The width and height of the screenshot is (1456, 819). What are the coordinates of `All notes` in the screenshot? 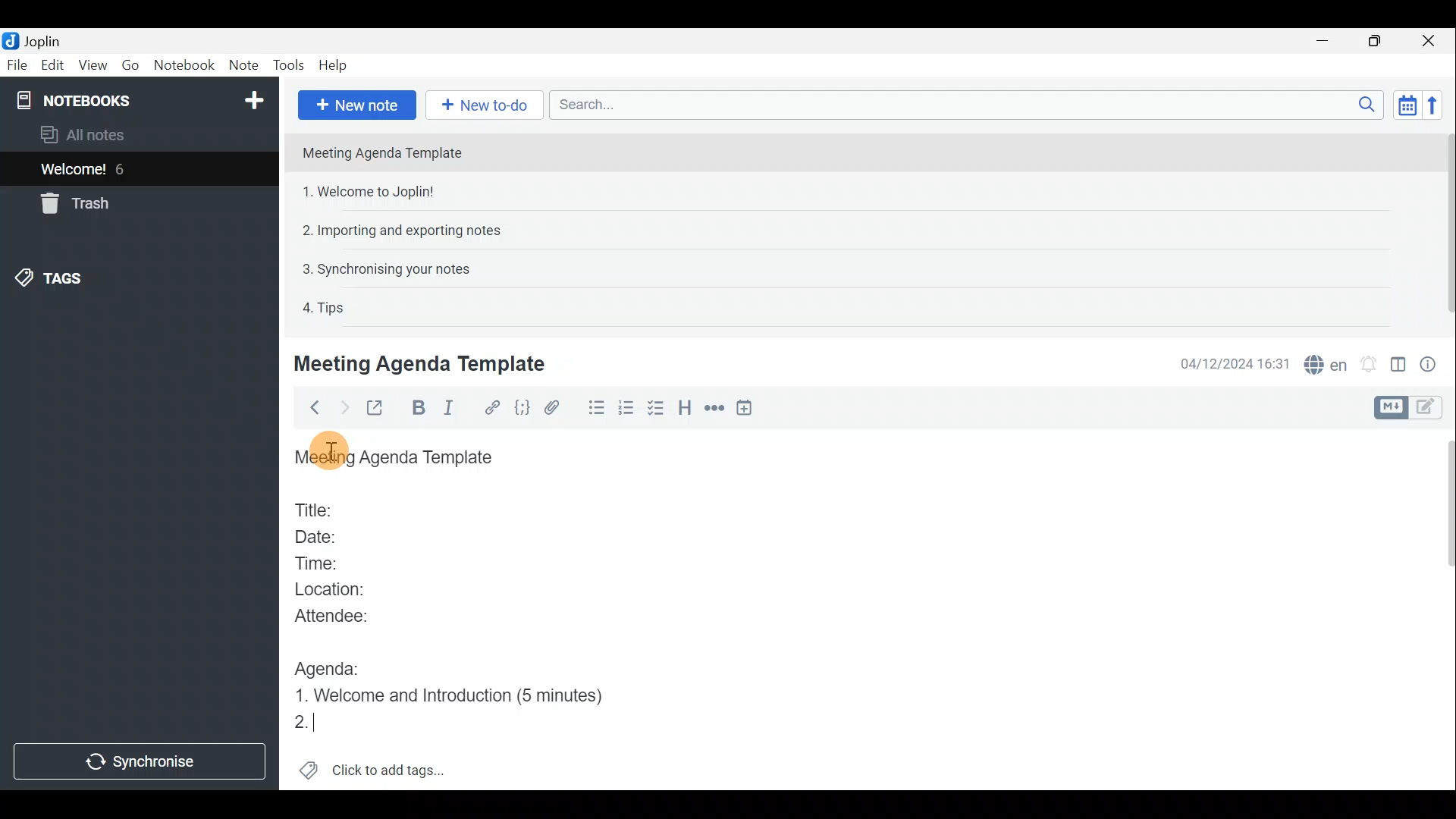 It's located at (108, 134).